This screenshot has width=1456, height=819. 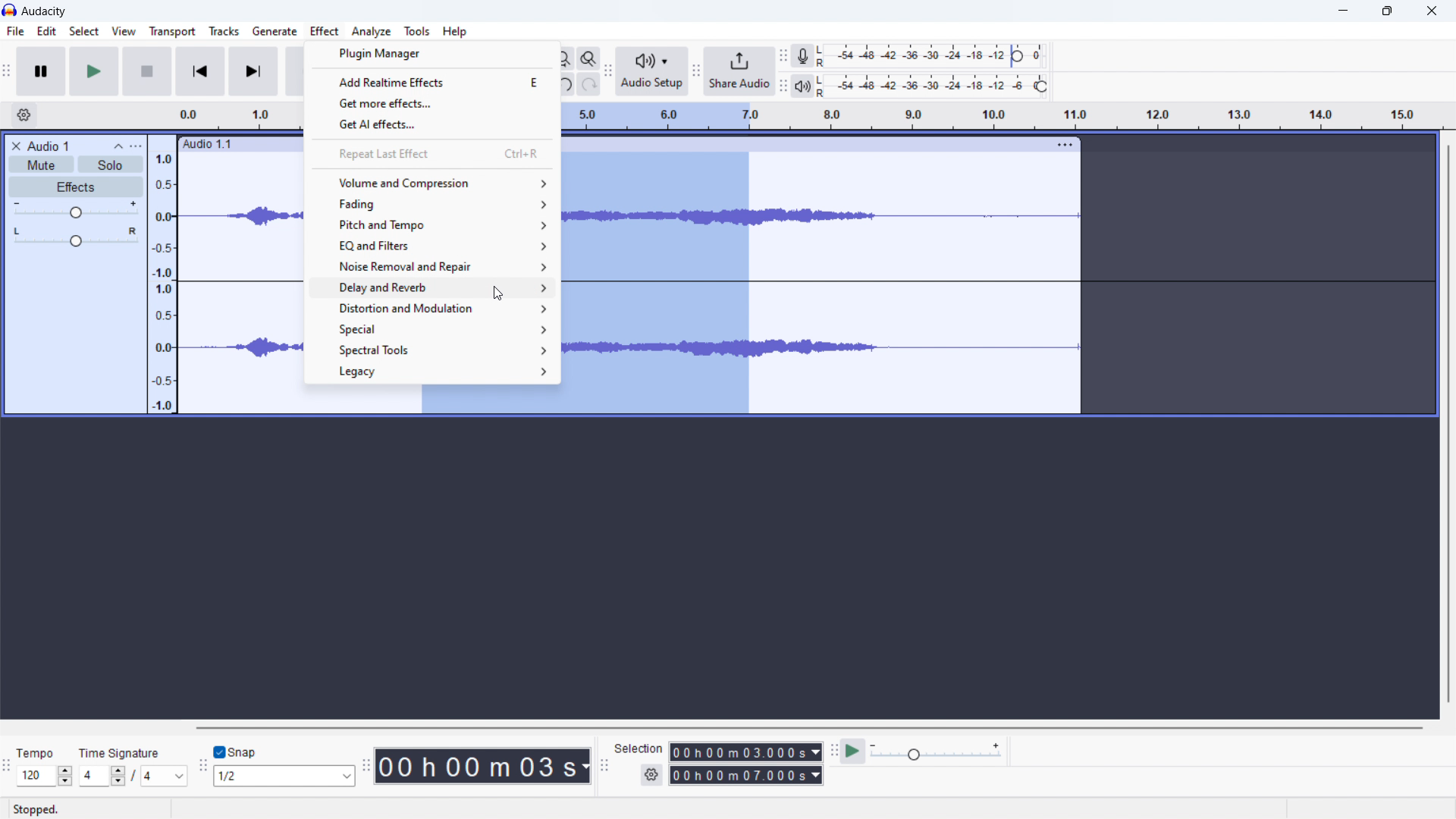 I want to click on time signature, so click(x=807, y=112).